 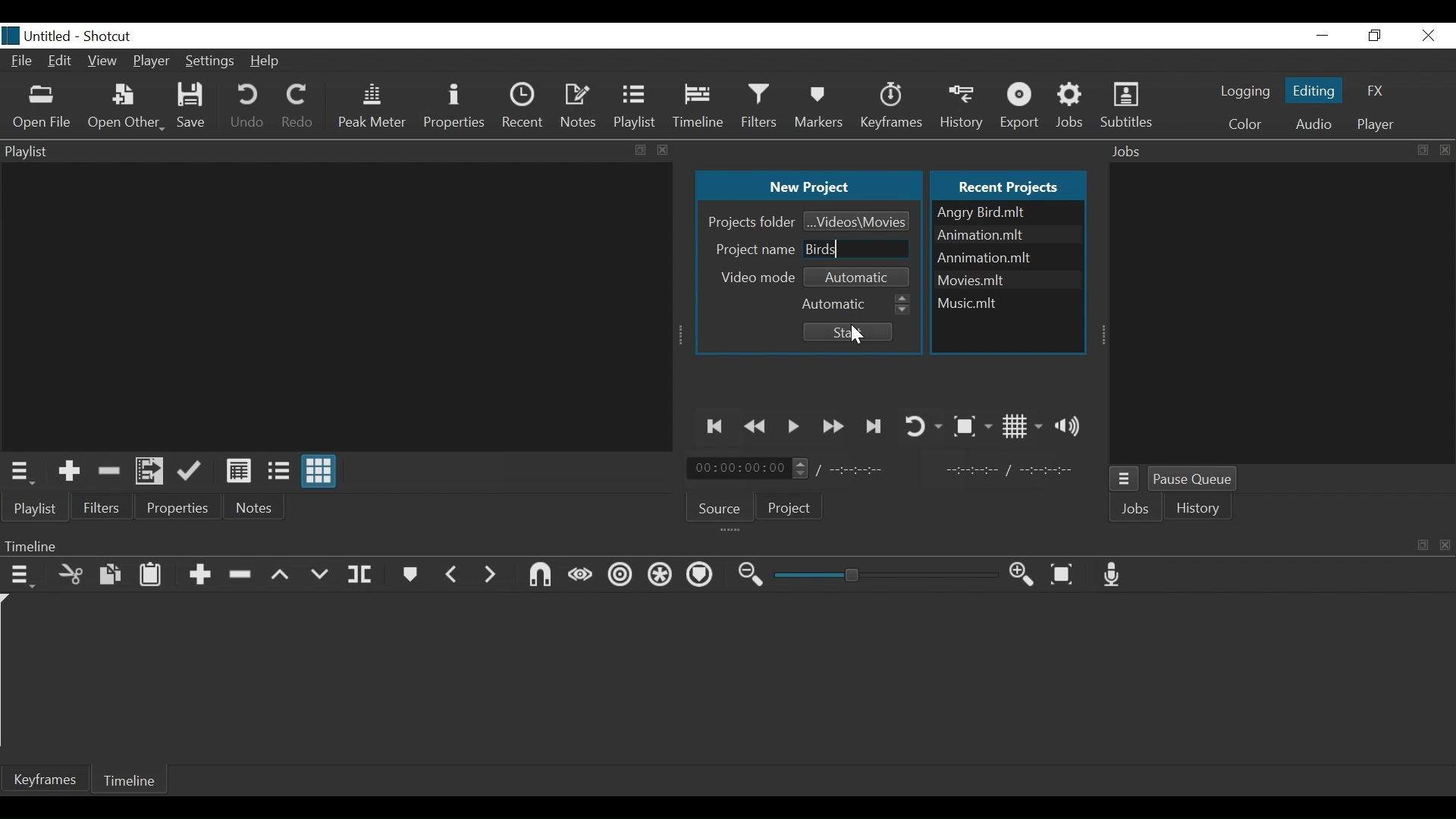 What do you see at coordinates (61, 63) in the screenshot?
I see `Edit` at bounding box center [61, 63].